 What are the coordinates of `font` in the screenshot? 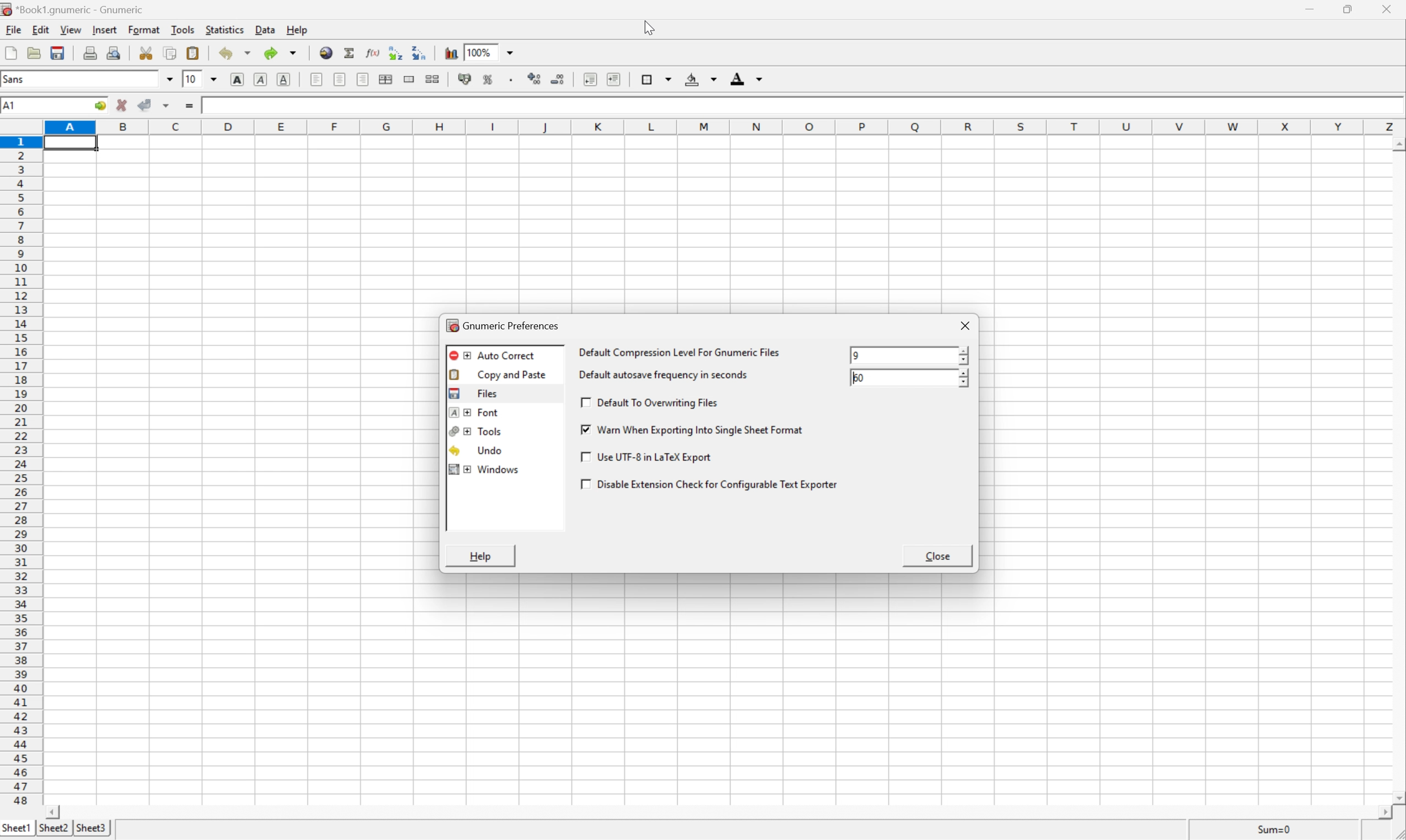 It's located at (474, 412).